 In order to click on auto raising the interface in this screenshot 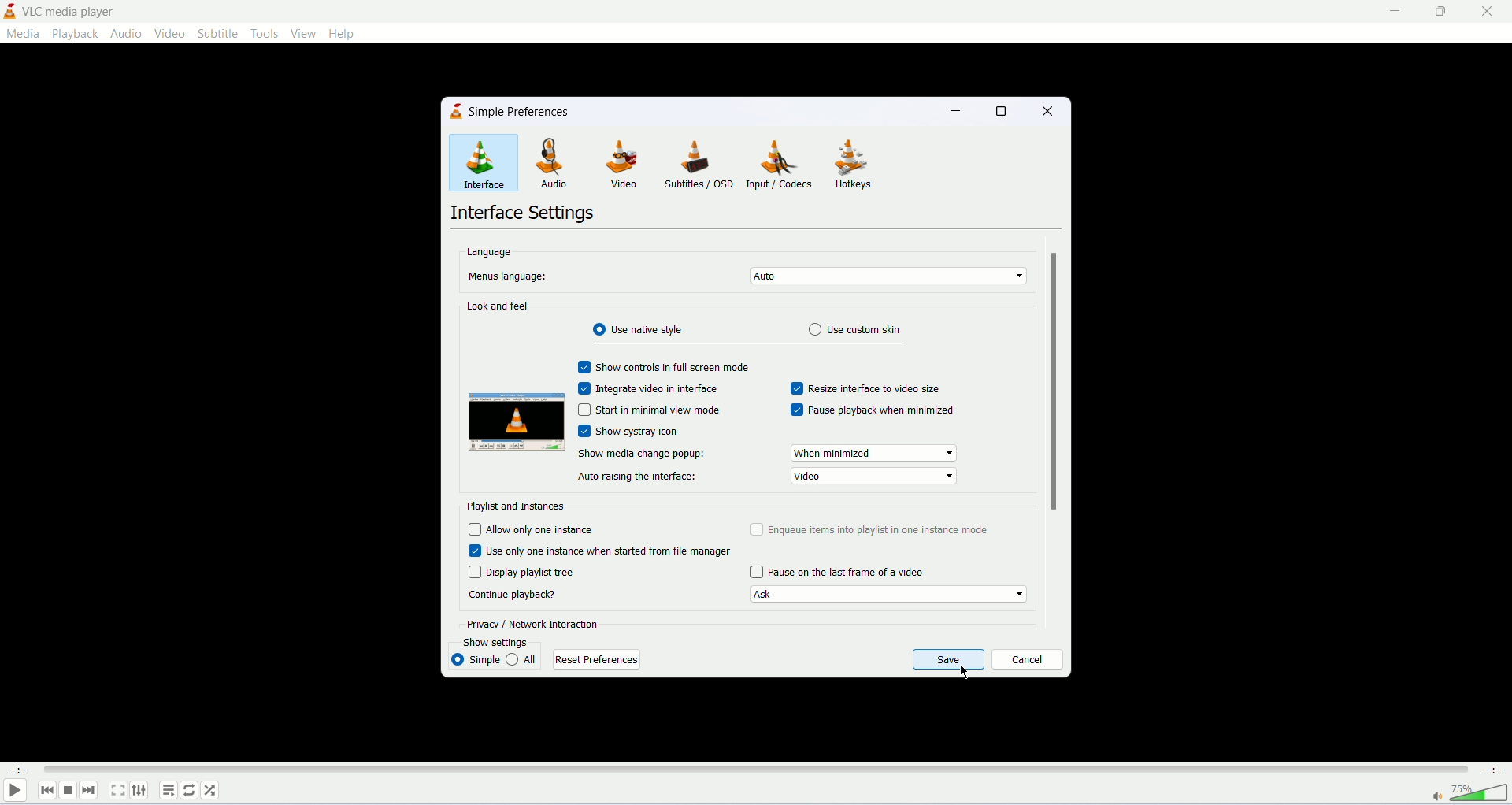, I will do `click(639, 475)`.